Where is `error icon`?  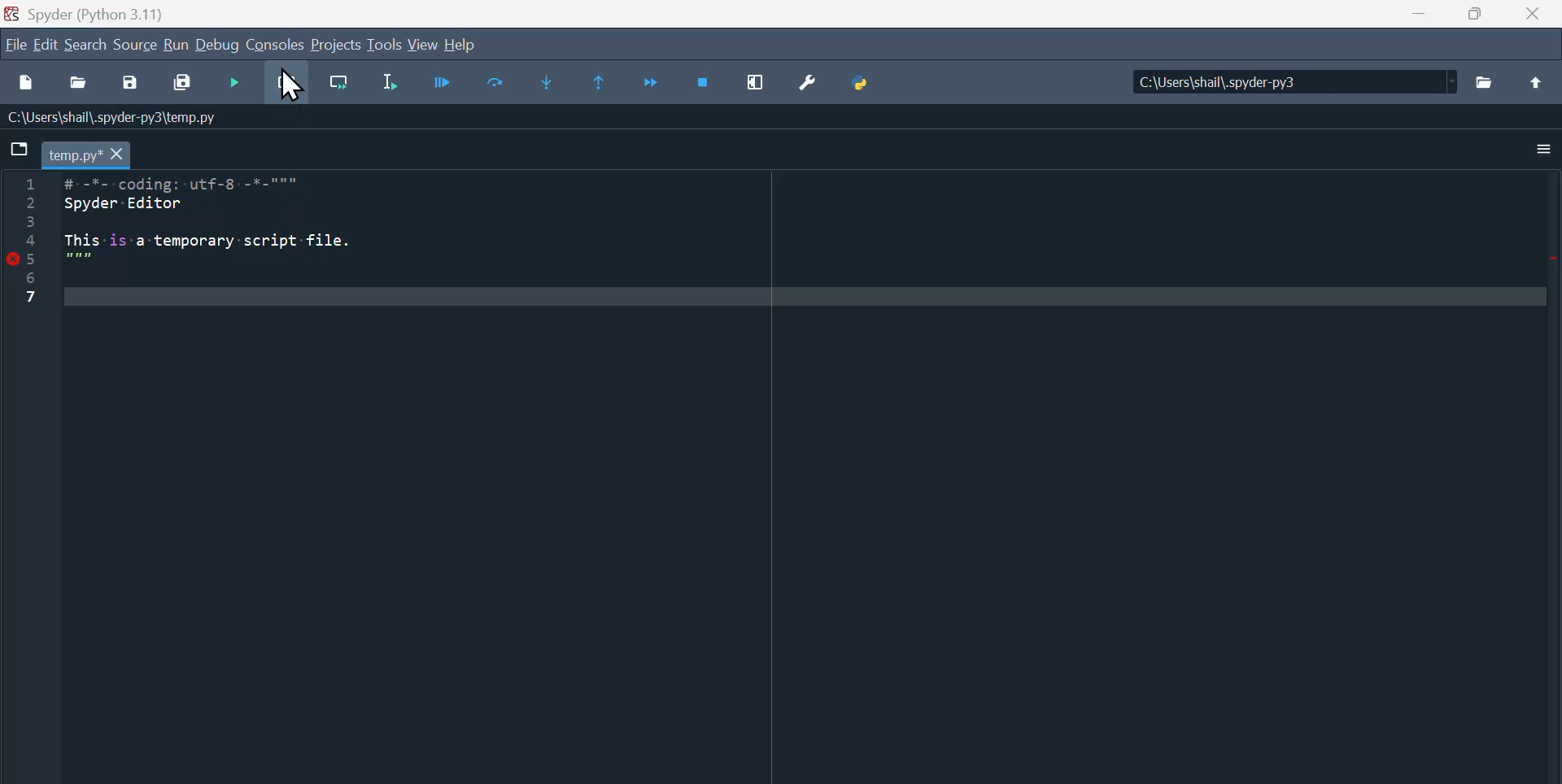
error icon is located at coordinates (11, 258).